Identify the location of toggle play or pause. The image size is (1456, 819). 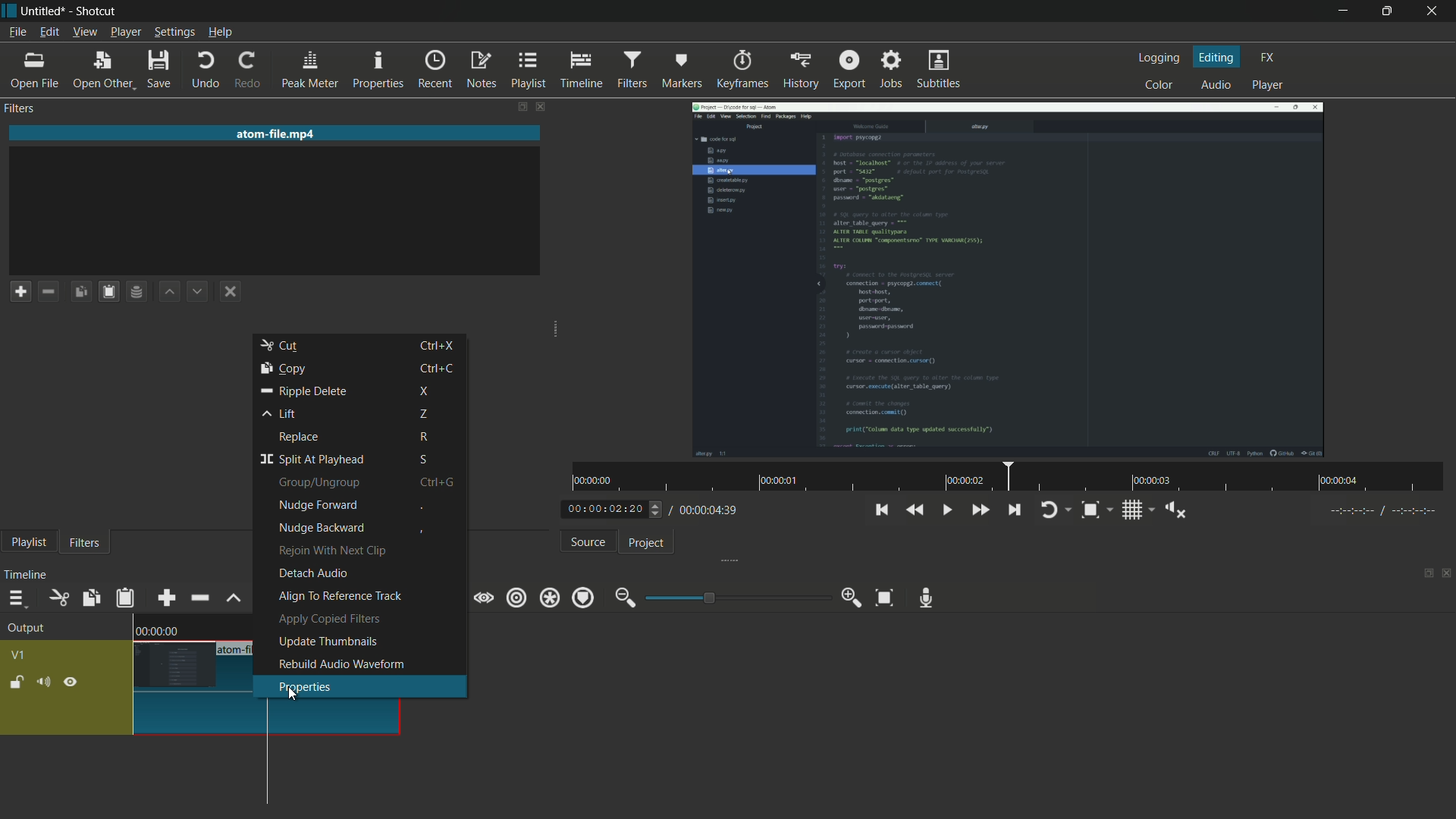
(945, 510).